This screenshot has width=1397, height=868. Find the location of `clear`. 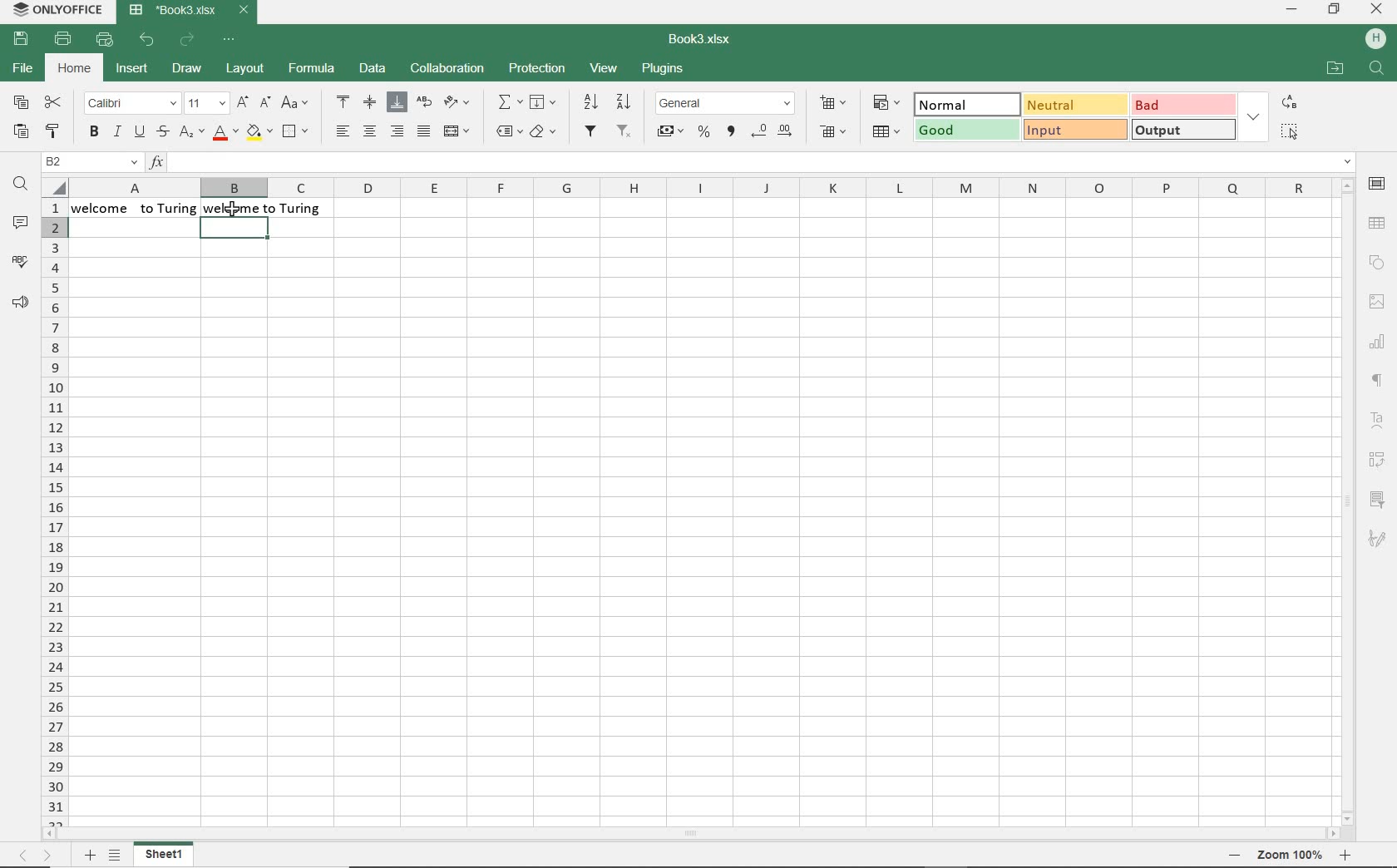

clear is located at coordinates (545, 133).